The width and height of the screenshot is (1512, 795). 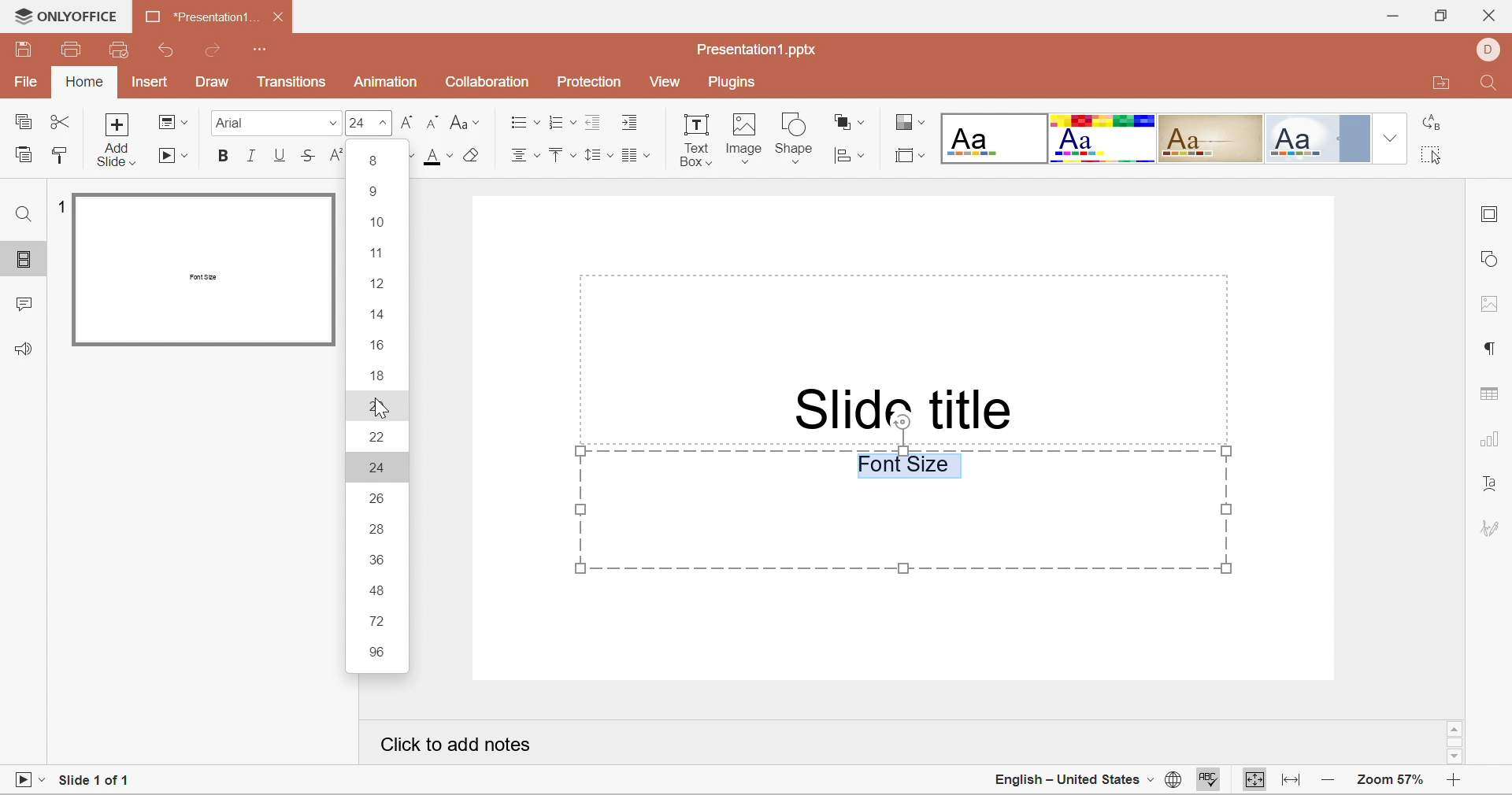 What do you see at coordinates (26, 123) in the screenshot?
I see `Copy` at bounding box center [26, 123].